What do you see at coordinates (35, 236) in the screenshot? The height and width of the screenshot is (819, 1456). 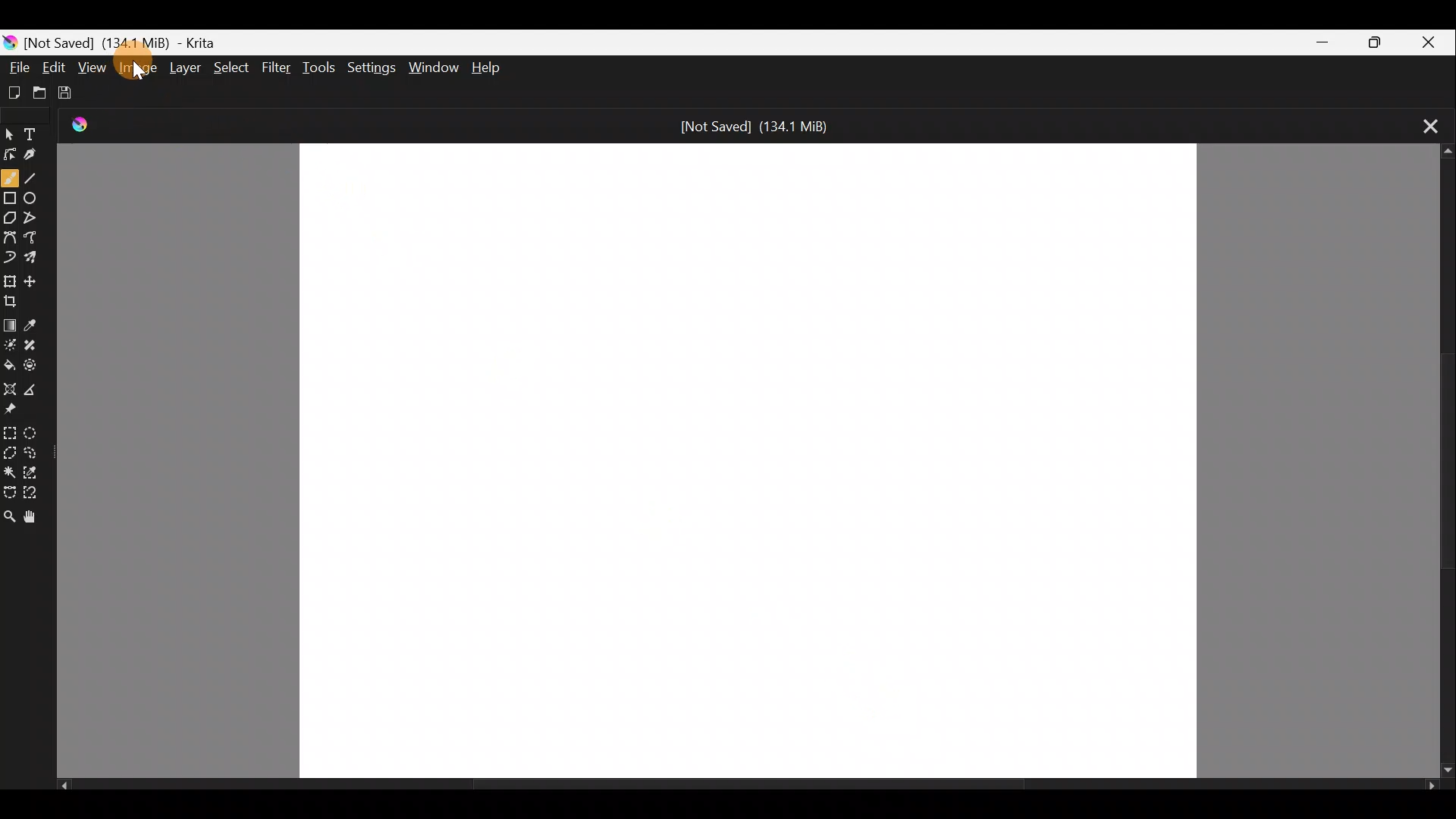 I see `Freehand path tool` at bounding box center [35, 236].